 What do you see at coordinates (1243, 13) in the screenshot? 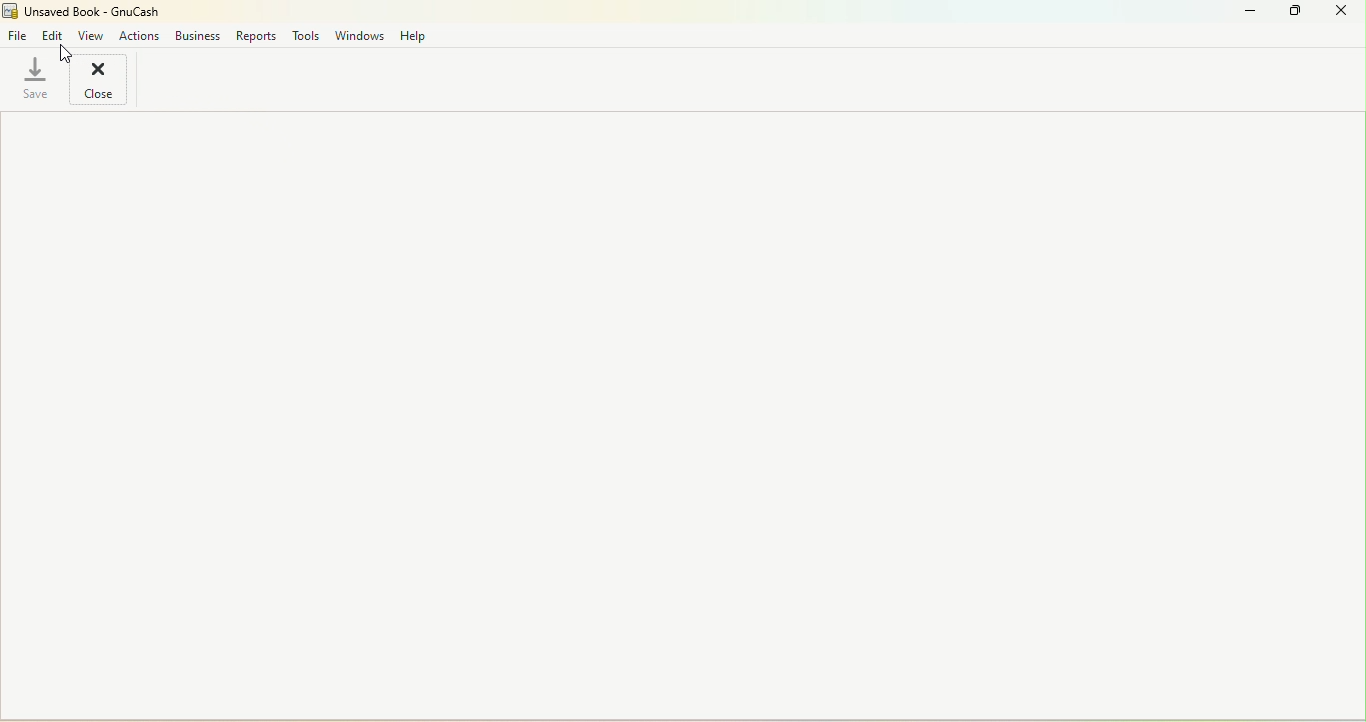
I see `Minimize` at bounding box center [1243, 13].